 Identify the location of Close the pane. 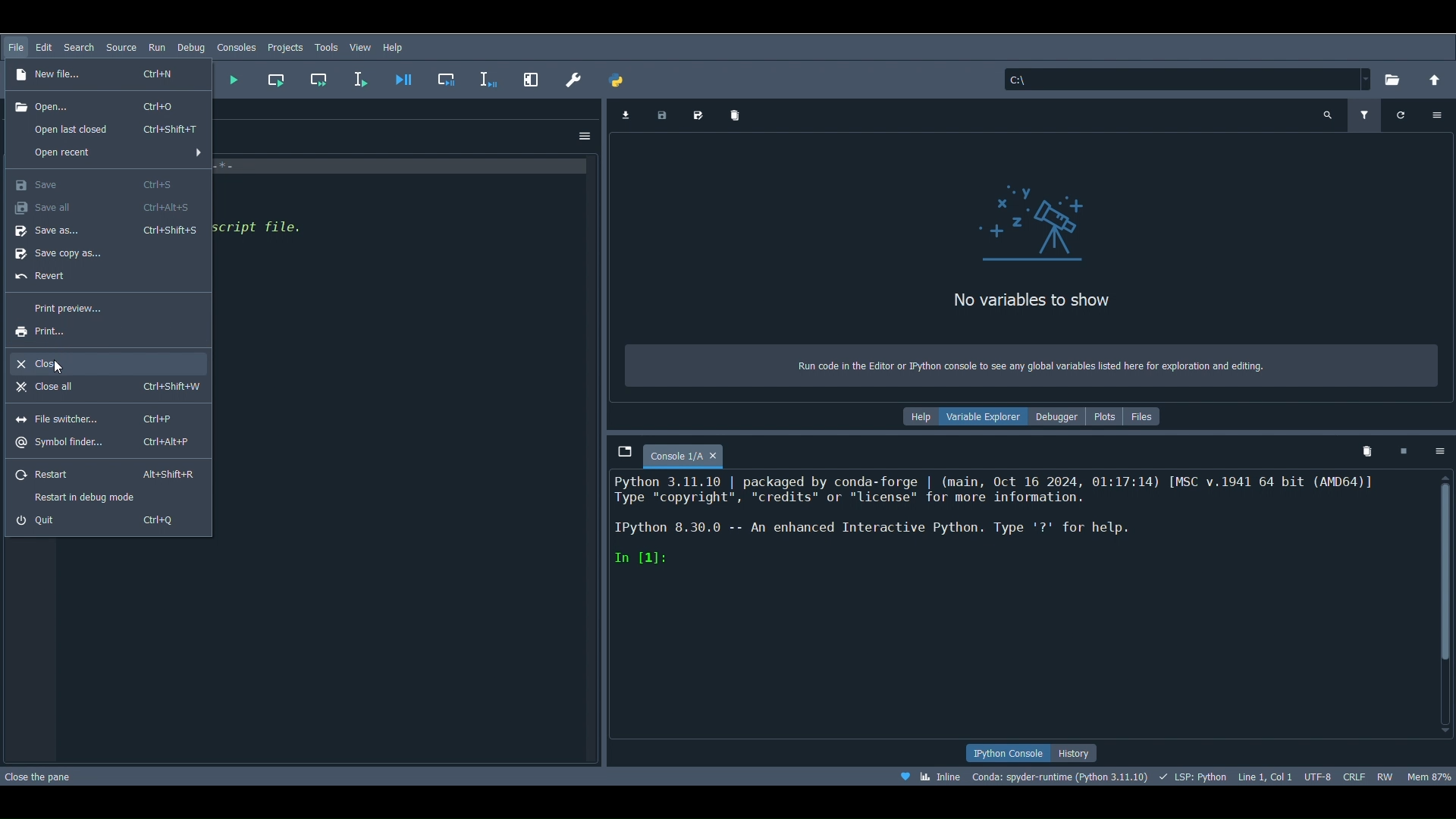
(40, 775).